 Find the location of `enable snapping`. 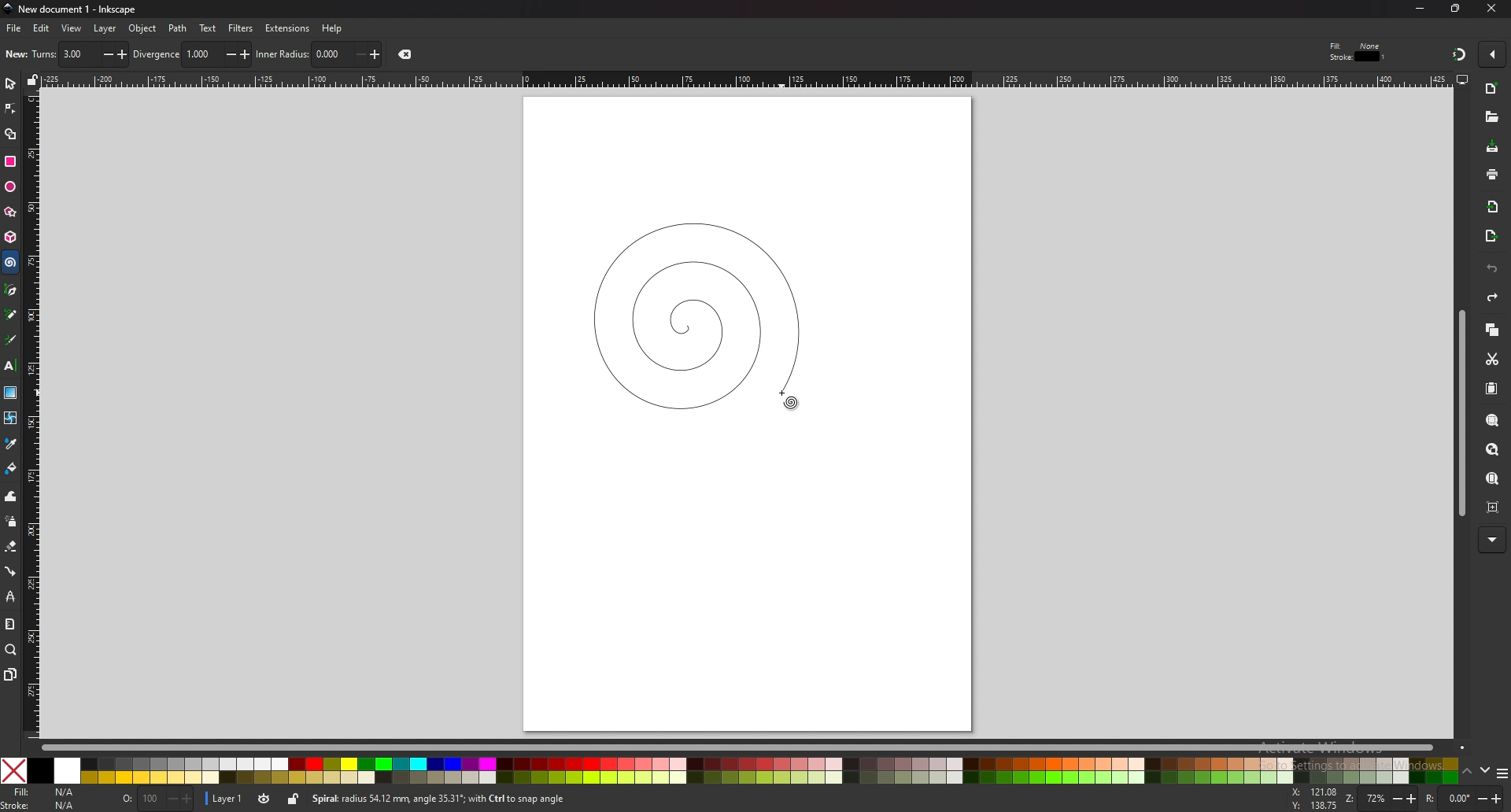

enable snapping is located at coordinates (1491, 53).